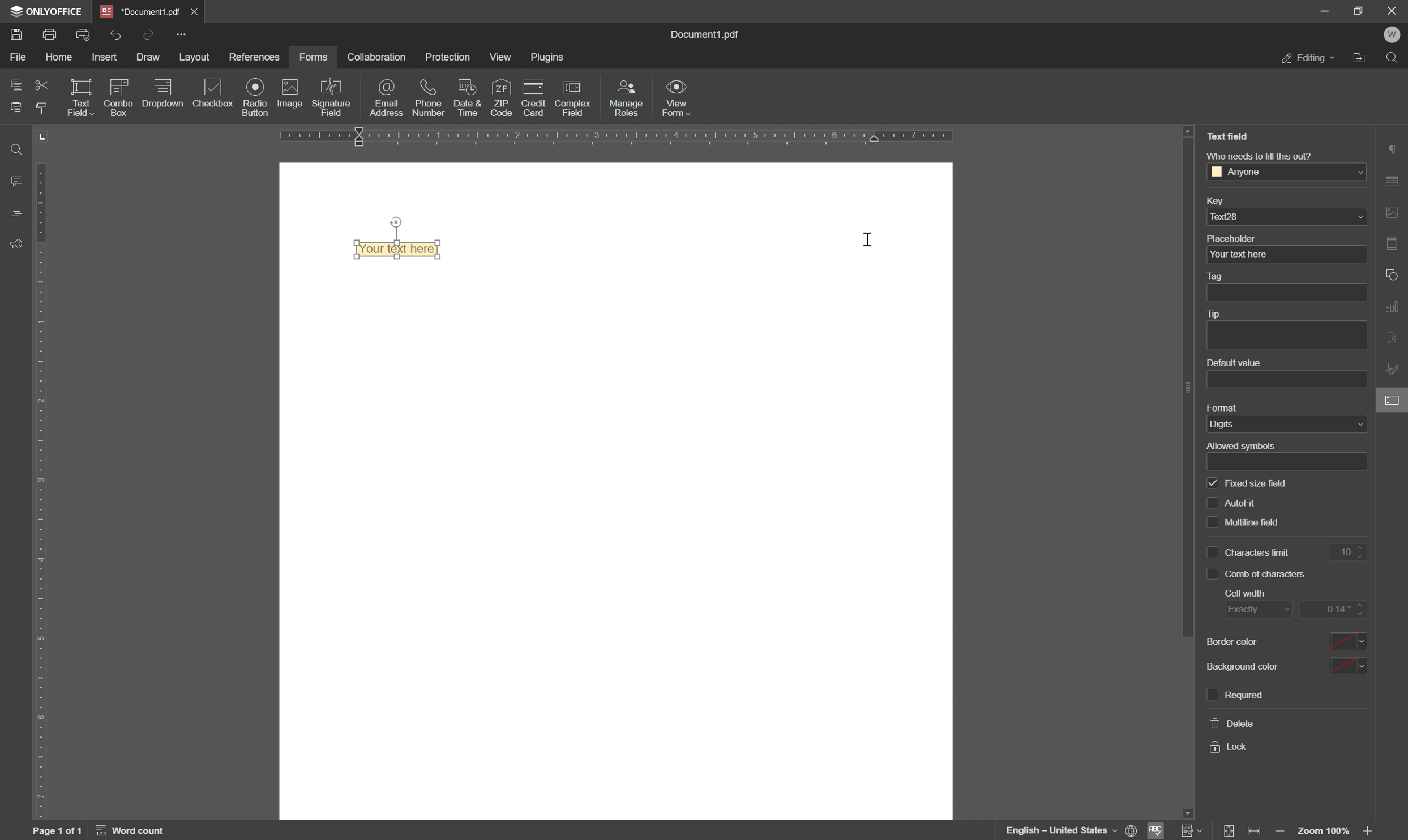 This screenshot has height=840, width=1408. Describe the element at coordinates (83, 35) in the screenshot. I see `quick print` at that location.